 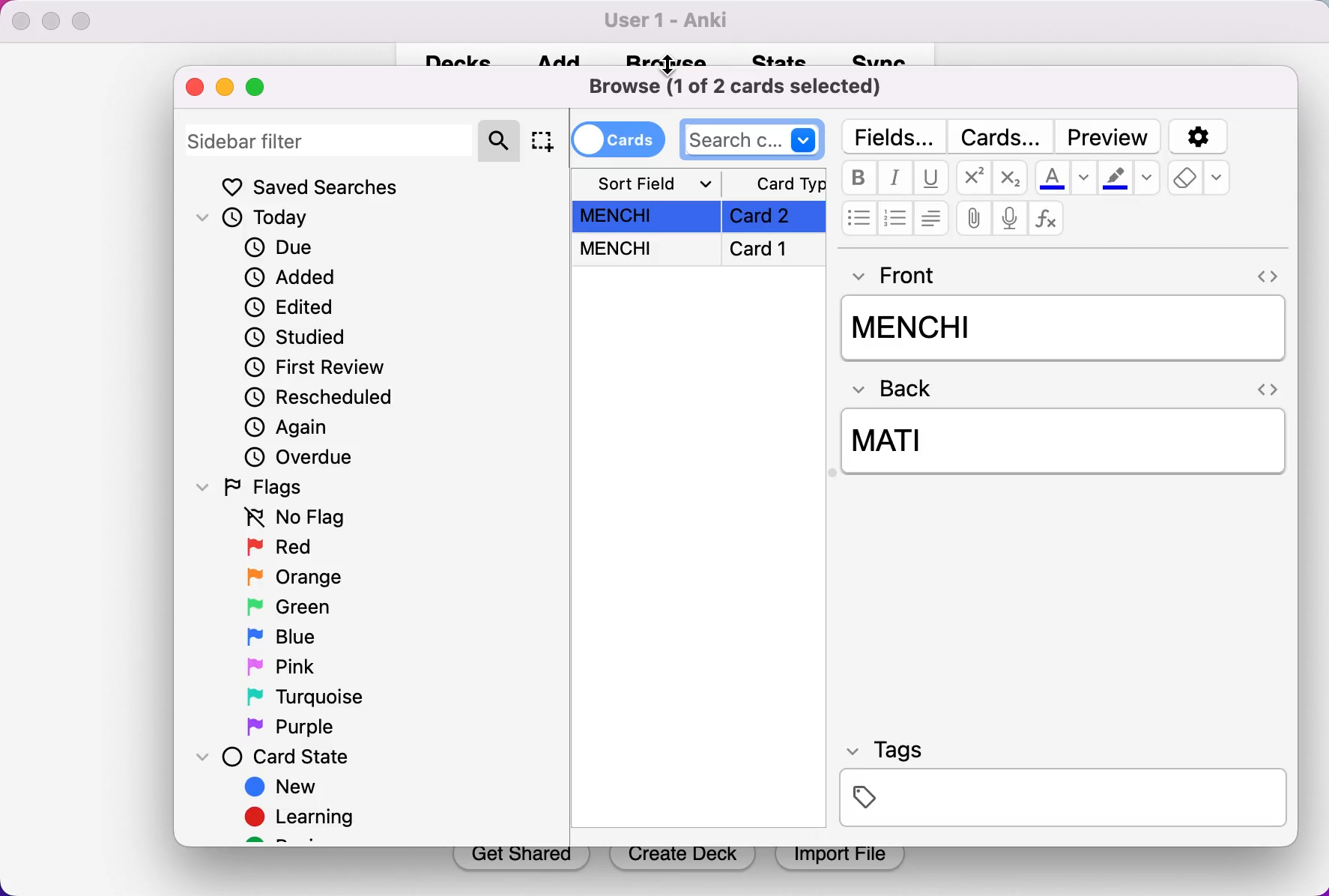 I want to click on equations, so click(x=1050, y=220).